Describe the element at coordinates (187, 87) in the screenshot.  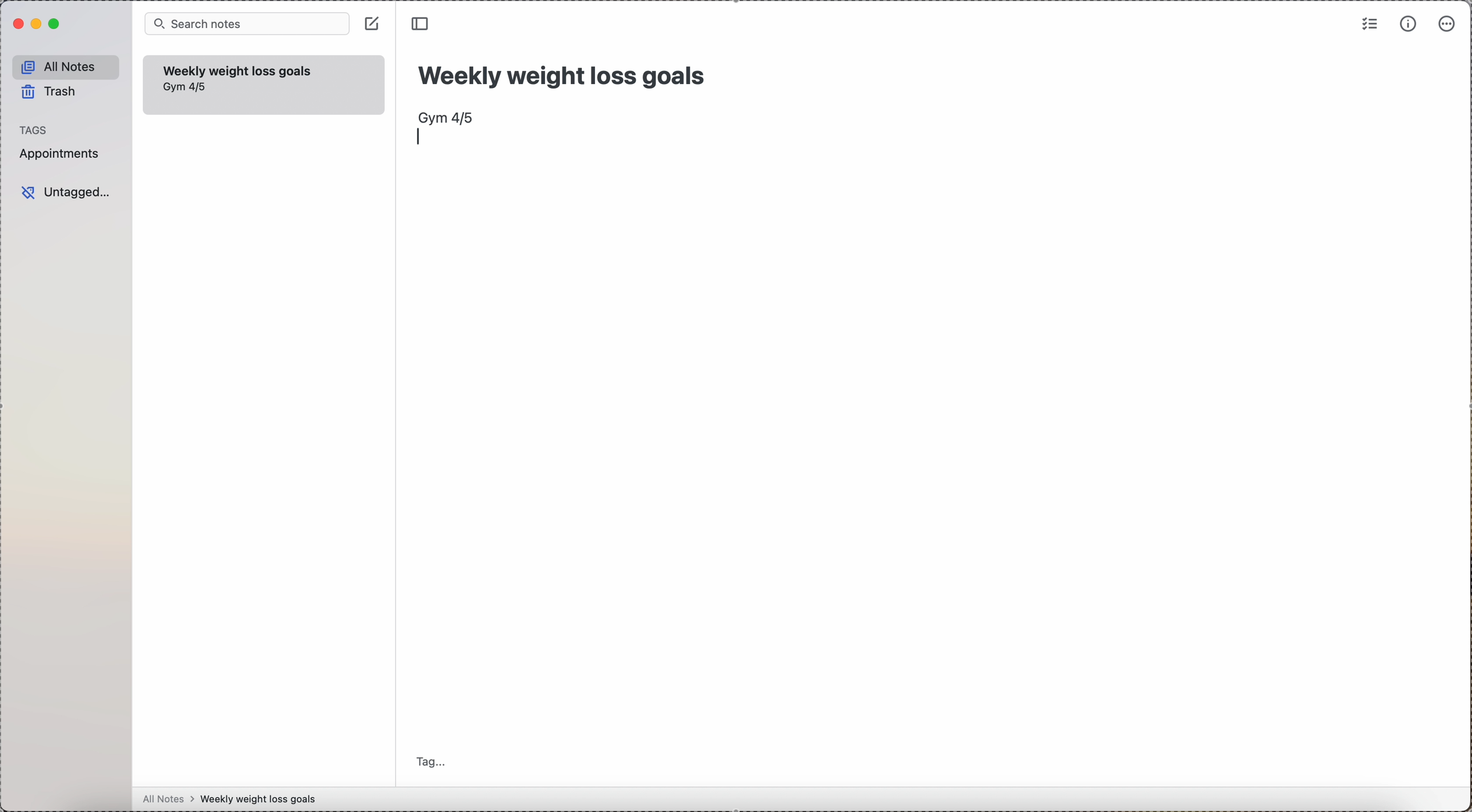
I see `Gym 4/5` at that location.